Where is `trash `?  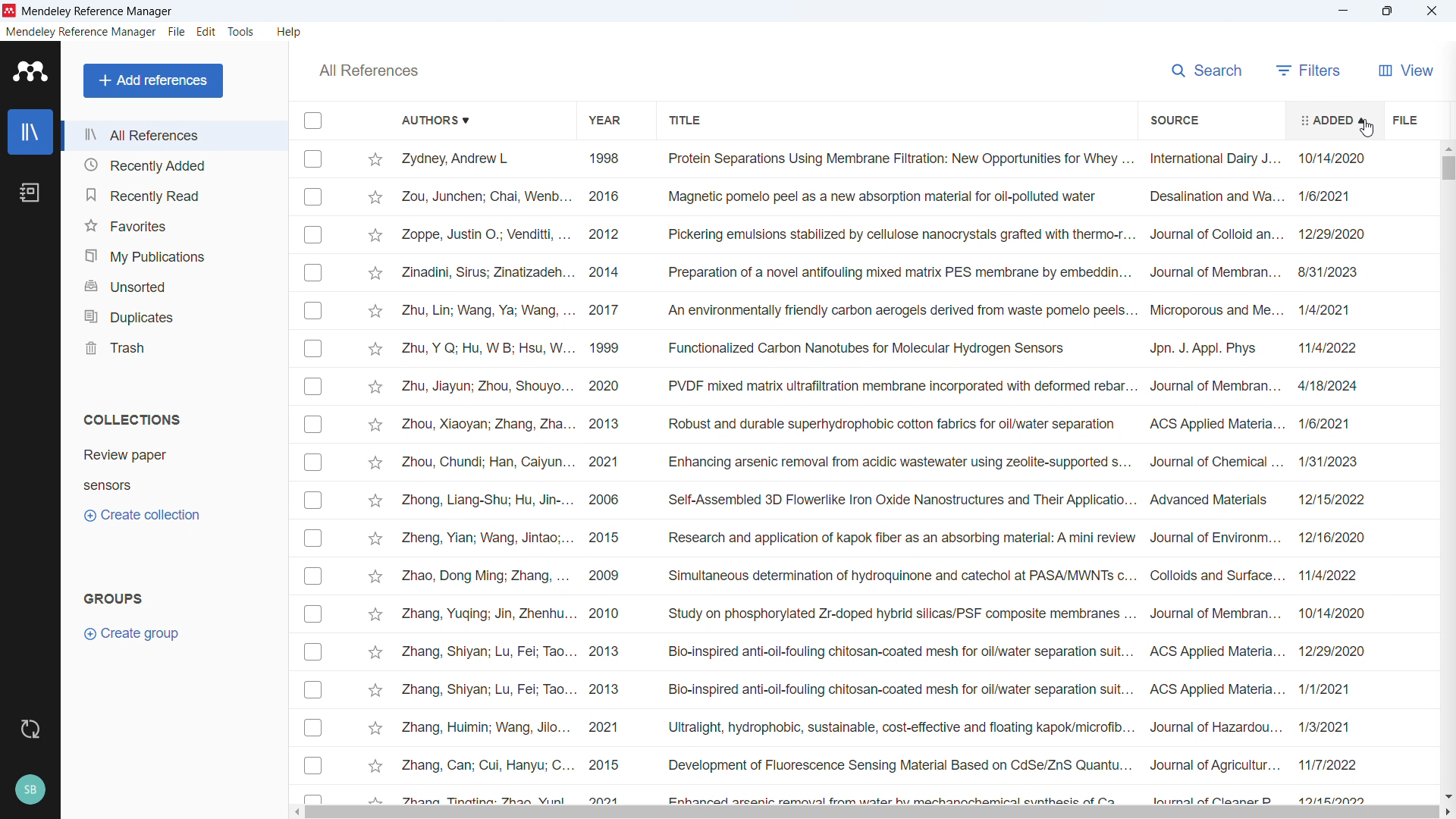 trash  is located at coordinates (173, 345).